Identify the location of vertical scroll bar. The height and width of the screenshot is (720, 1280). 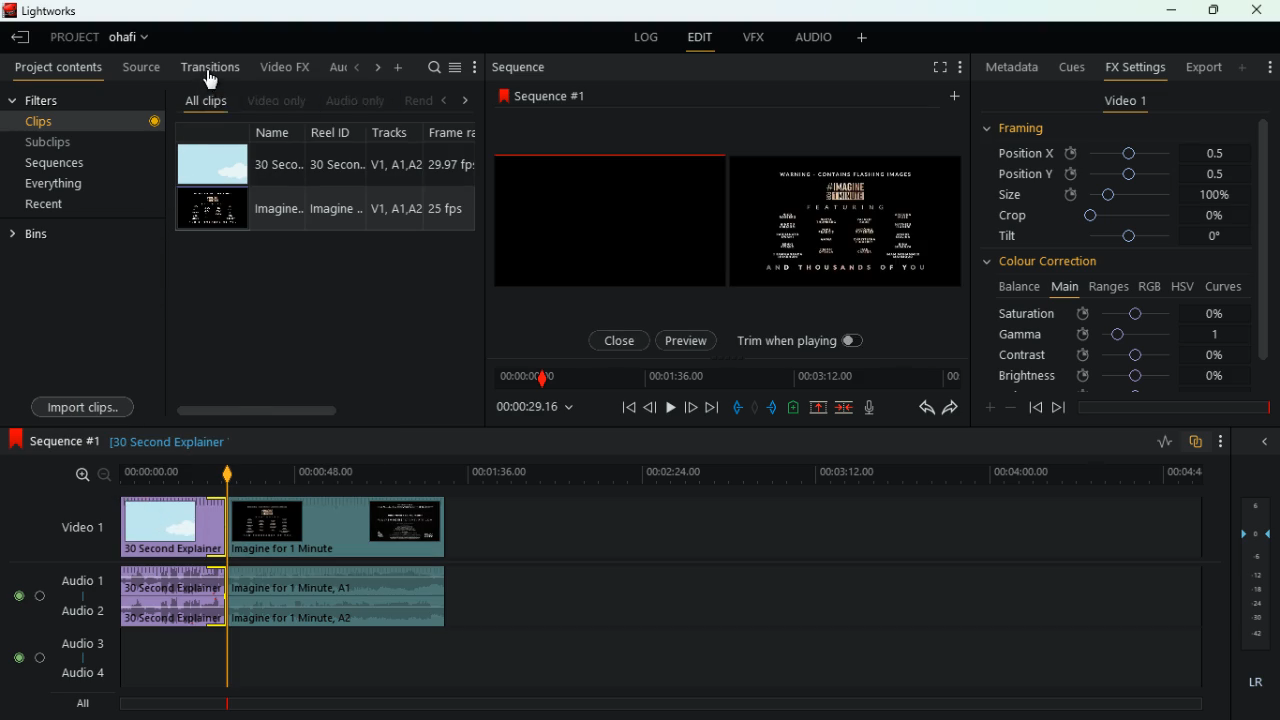
(1264, 253).